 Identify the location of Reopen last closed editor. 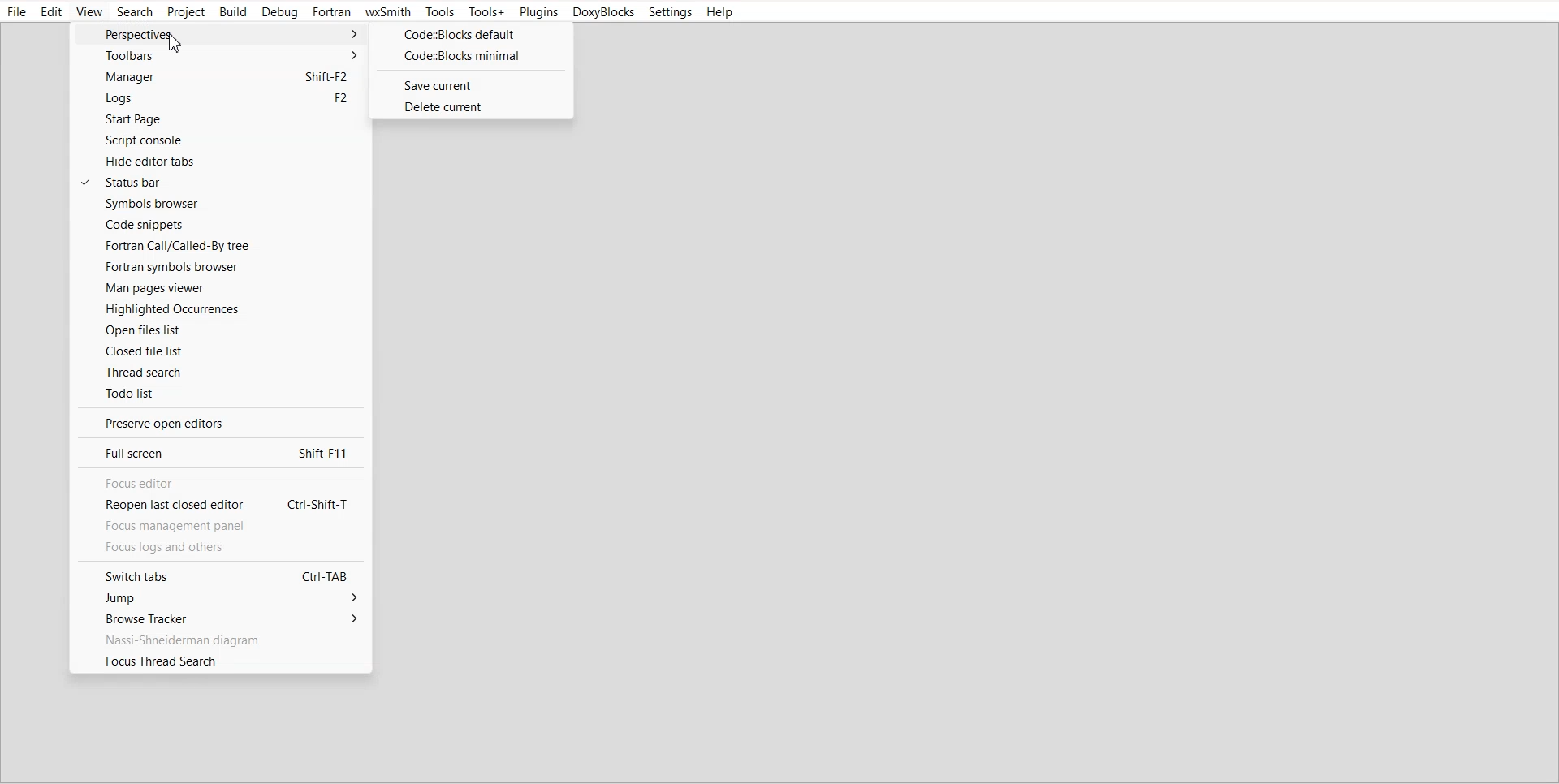
(215, 506).